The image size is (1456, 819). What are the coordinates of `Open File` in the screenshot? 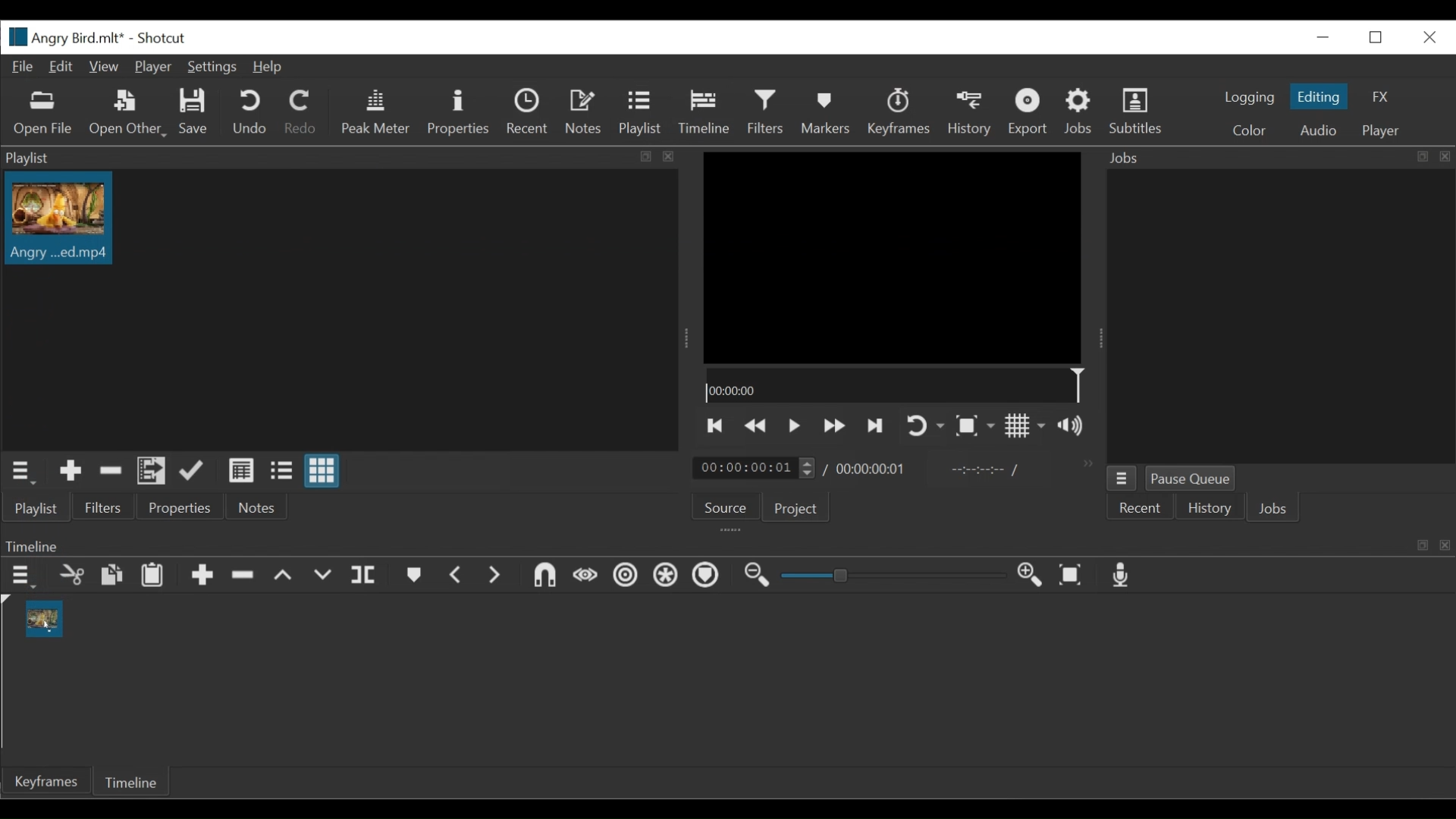 It's located at (42, 116).